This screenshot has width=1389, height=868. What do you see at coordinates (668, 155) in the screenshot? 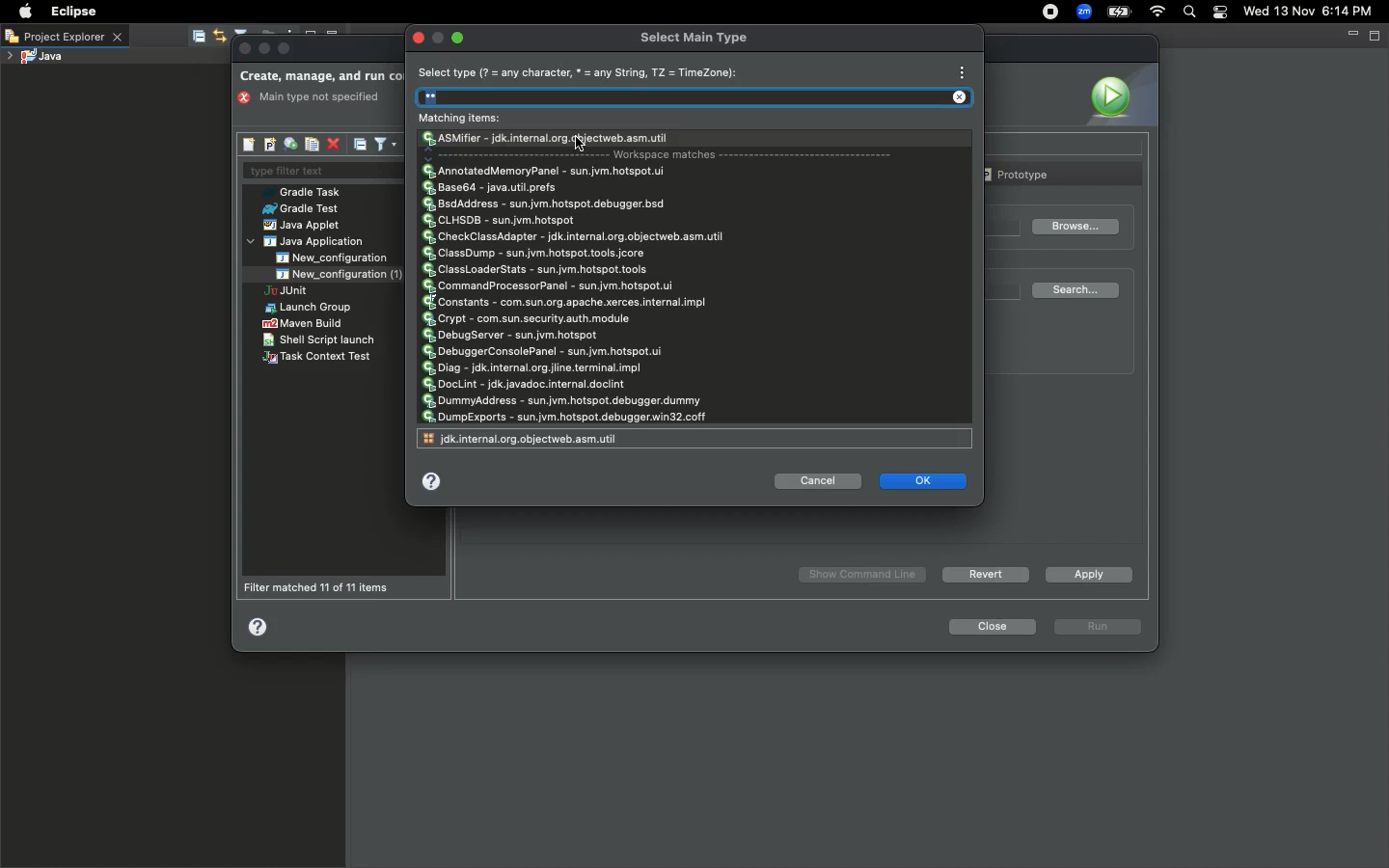
I see `Workspace matches` at bounding box center [668, 155].